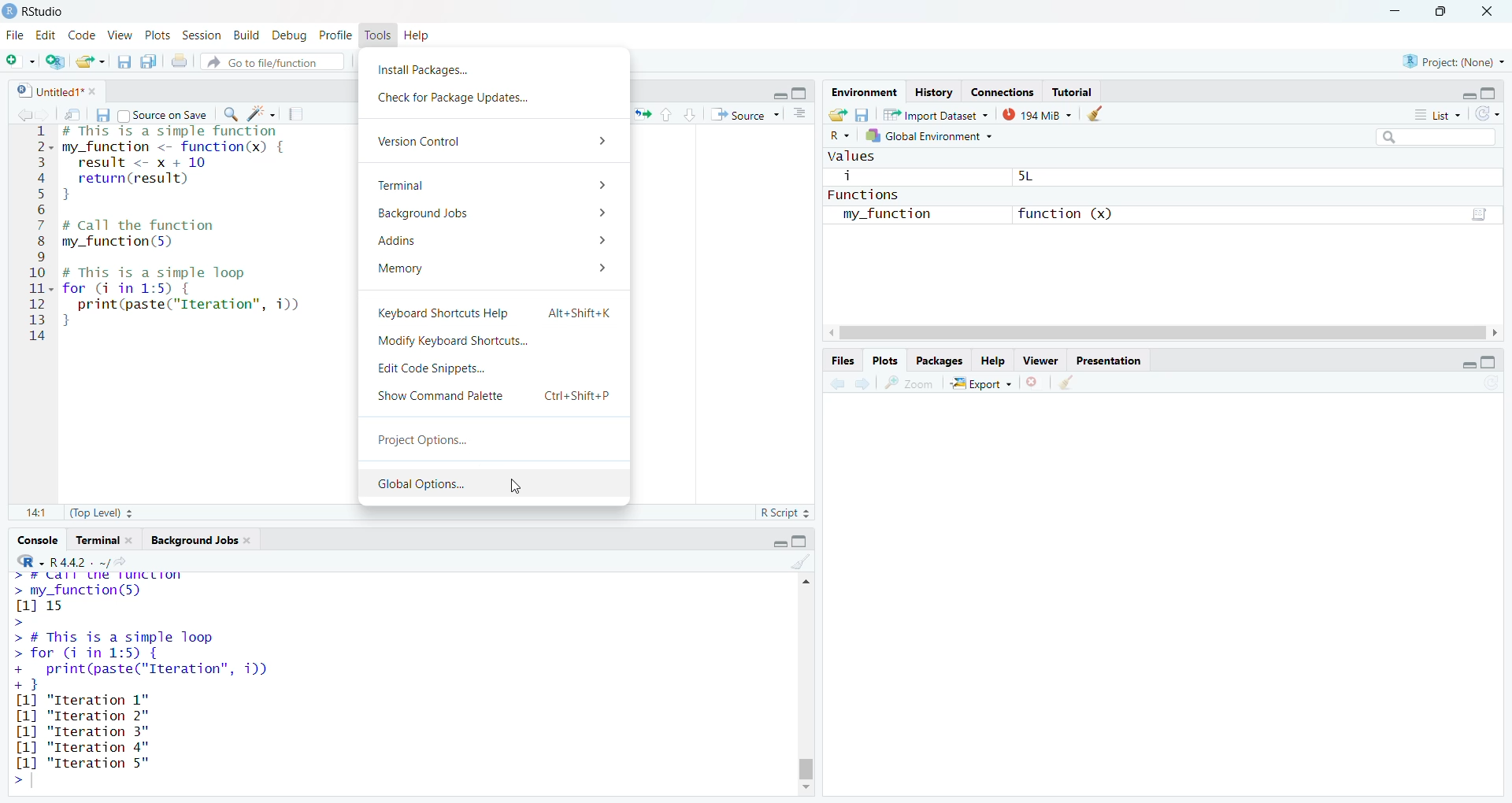 The height and width of the screenshot is (803, 1512). What do you see at coordinates (1073, 91) in the screenshot?
I see `Tutorial` at bounding box center [1073, 91].